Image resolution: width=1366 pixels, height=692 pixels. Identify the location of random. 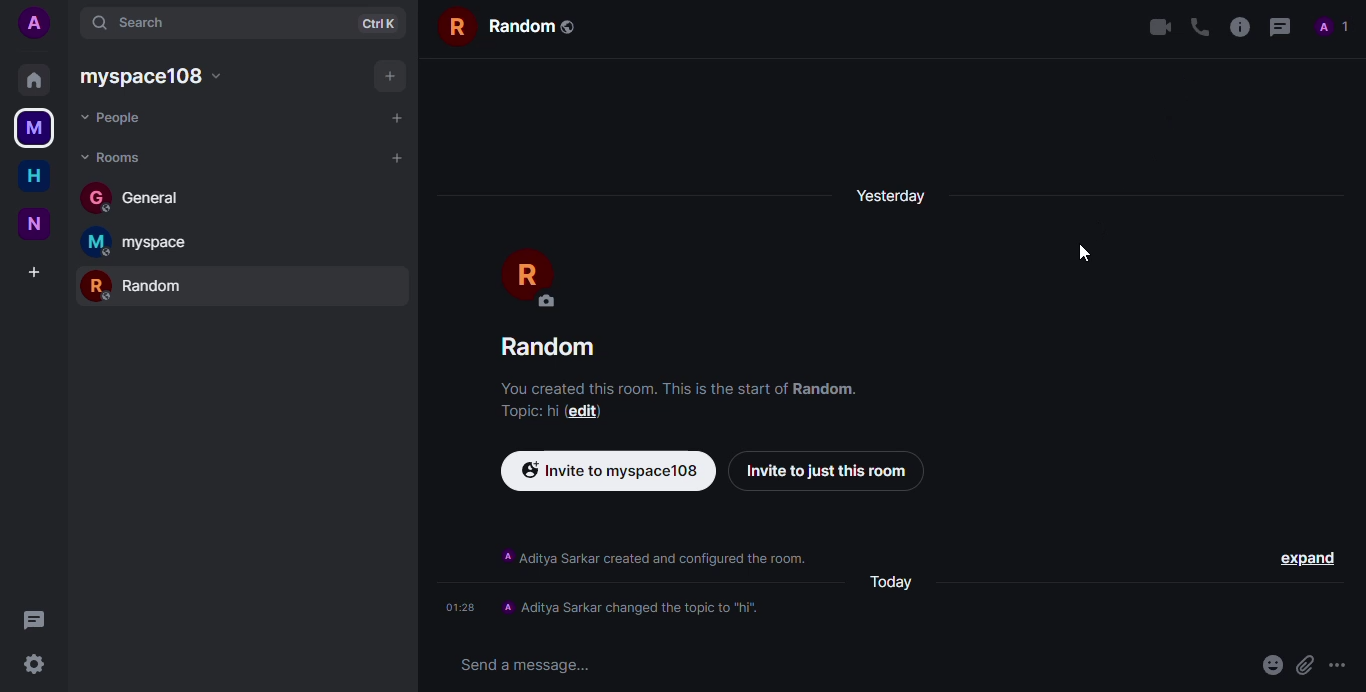
(140, 283).